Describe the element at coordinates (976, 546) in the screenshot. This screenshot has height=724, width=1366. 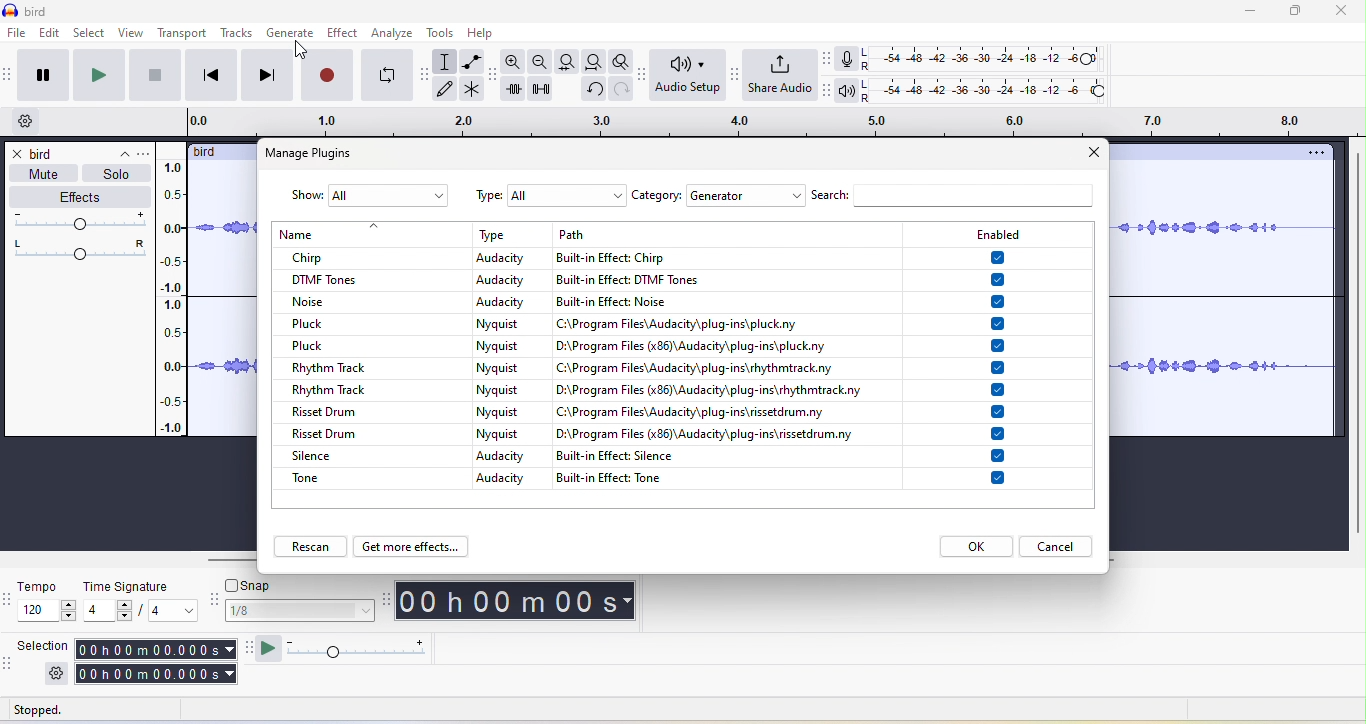
I see `ok` at that location.